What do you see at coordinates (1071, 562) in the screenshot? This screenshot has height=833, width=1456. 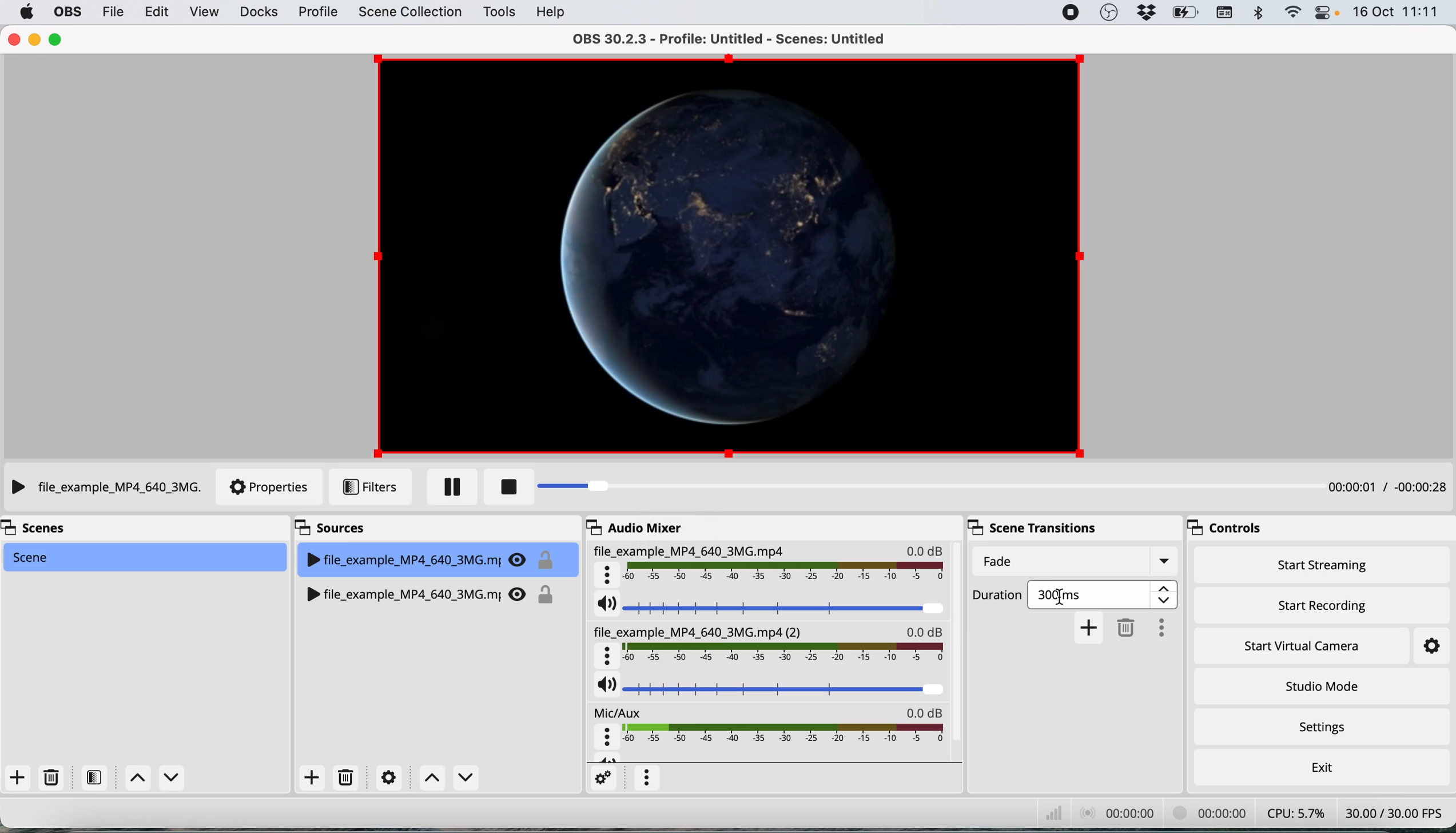 I see `fade` at bounding box center [1071, 562].